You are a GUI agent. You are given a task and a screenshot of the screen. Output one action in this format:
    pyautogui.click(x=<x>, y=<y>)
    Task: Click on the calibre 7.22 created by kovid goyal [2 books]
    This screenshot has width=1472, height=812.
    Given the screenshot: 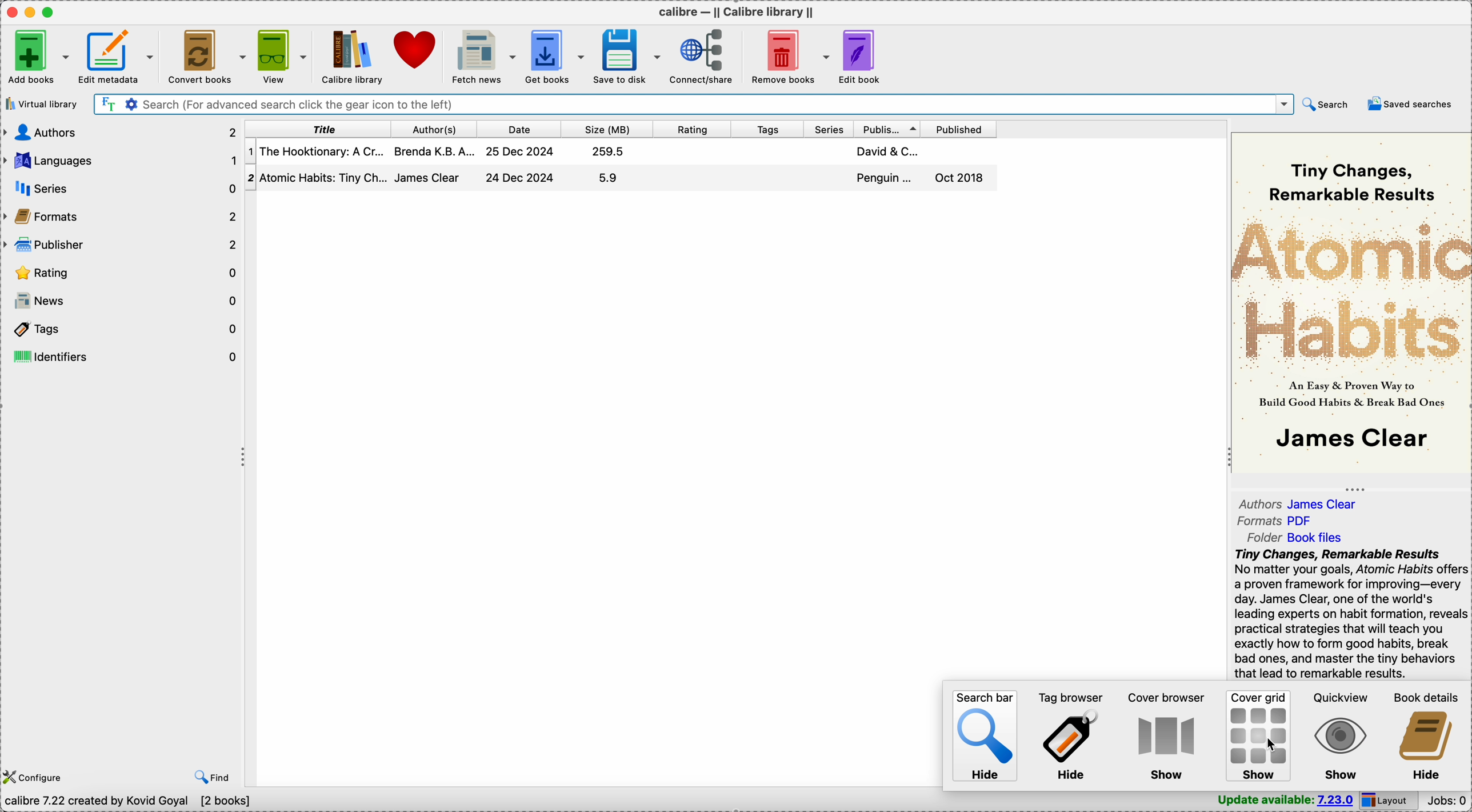 What is the action you would take?
    pyautogui.click(x=130, y=803)
    